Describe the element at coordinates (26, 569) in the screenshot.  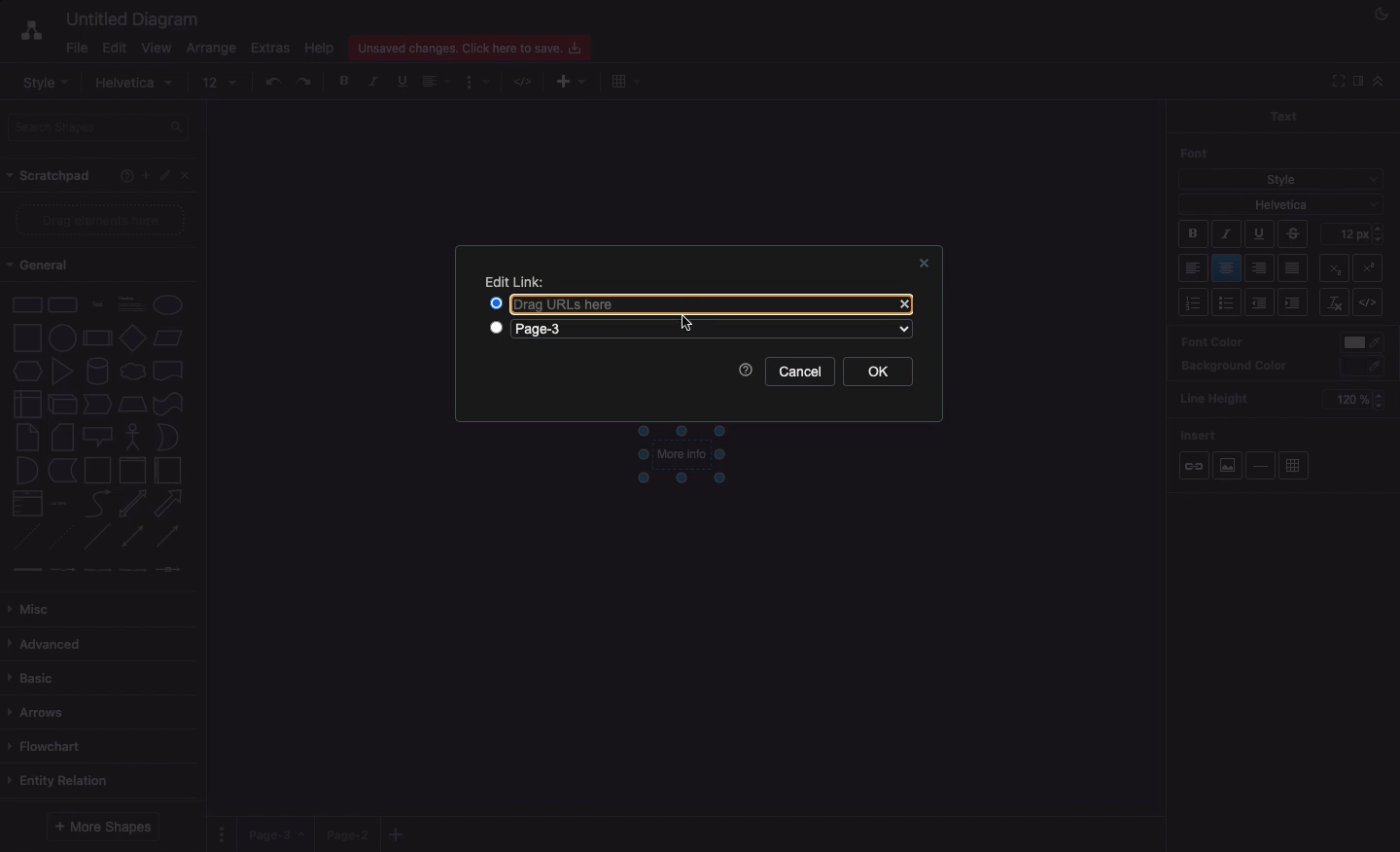
I see `link` at that location.